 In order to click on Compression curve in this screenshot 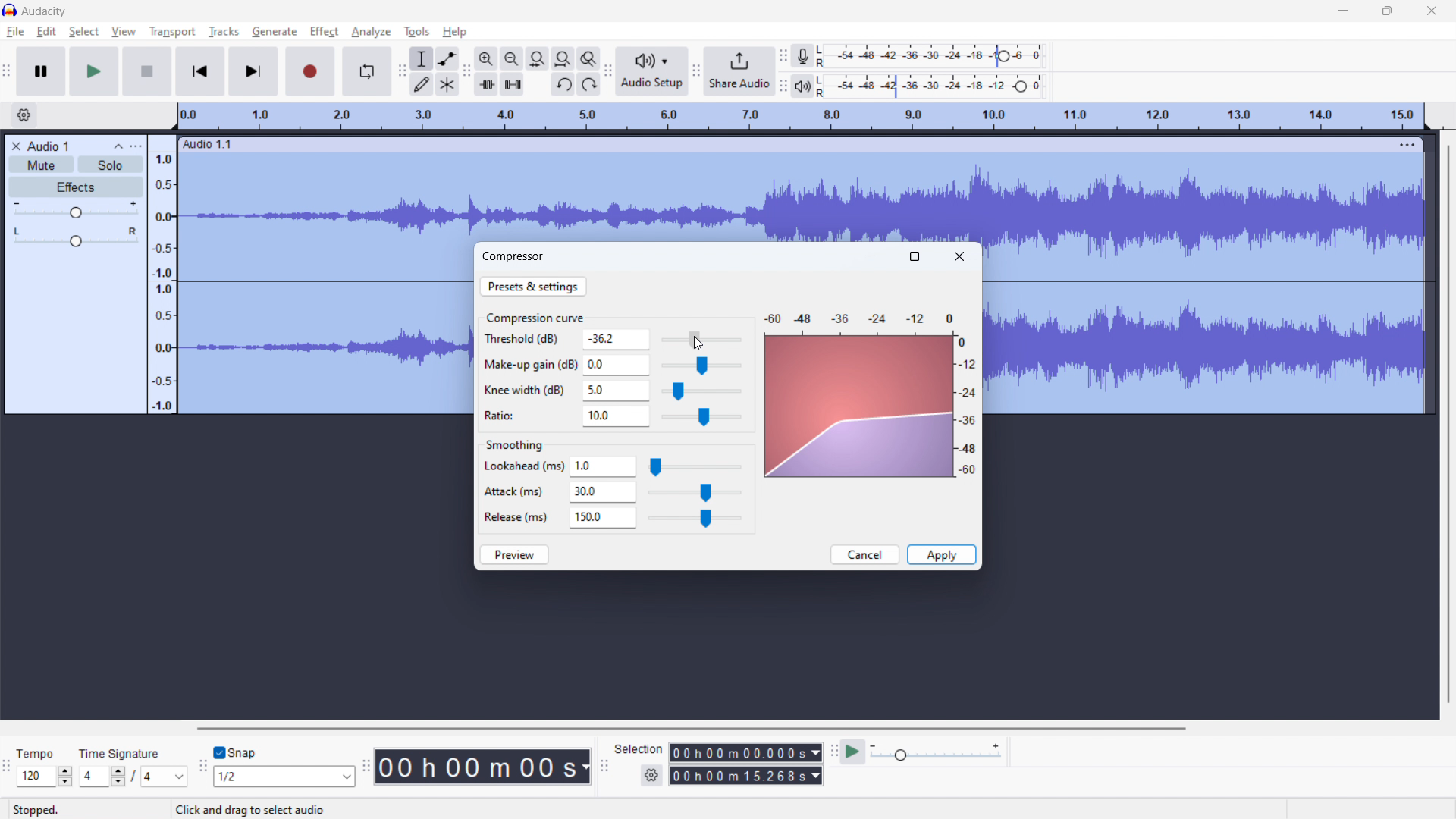, I will do `click(535, 317)`.